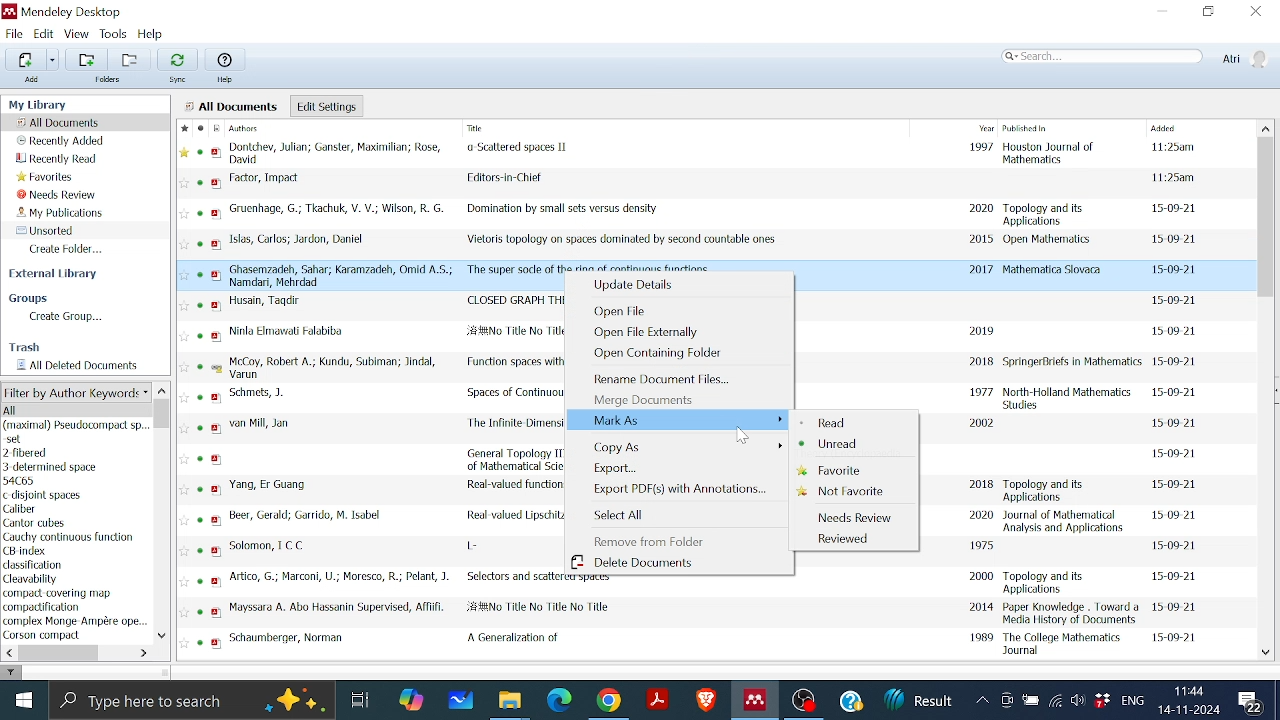 The image size is (1280, 720). I want to click on All documents, so click(60, 123).